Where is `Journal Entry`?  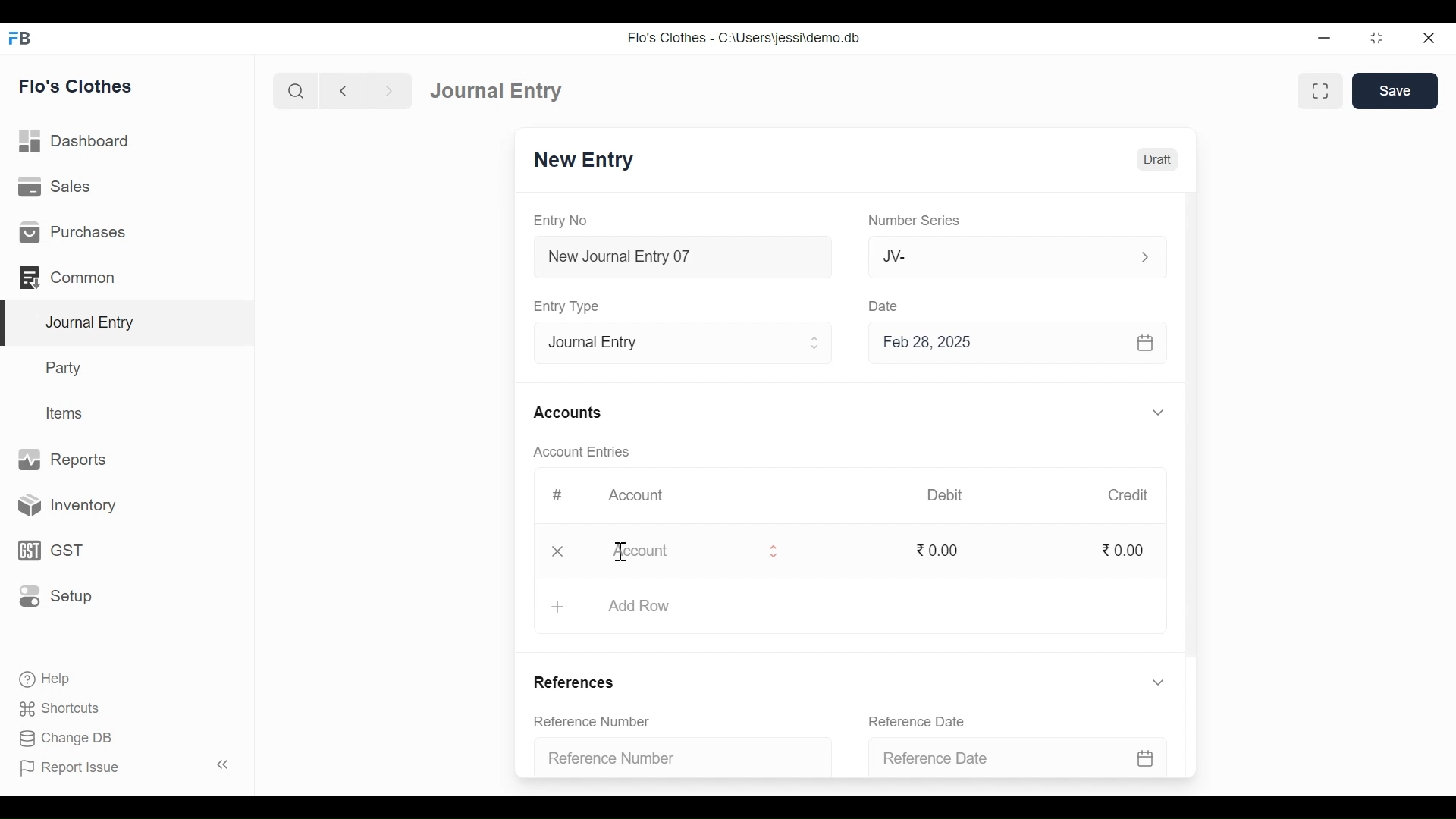
Journal Entry is located at coordinates (130, 324).